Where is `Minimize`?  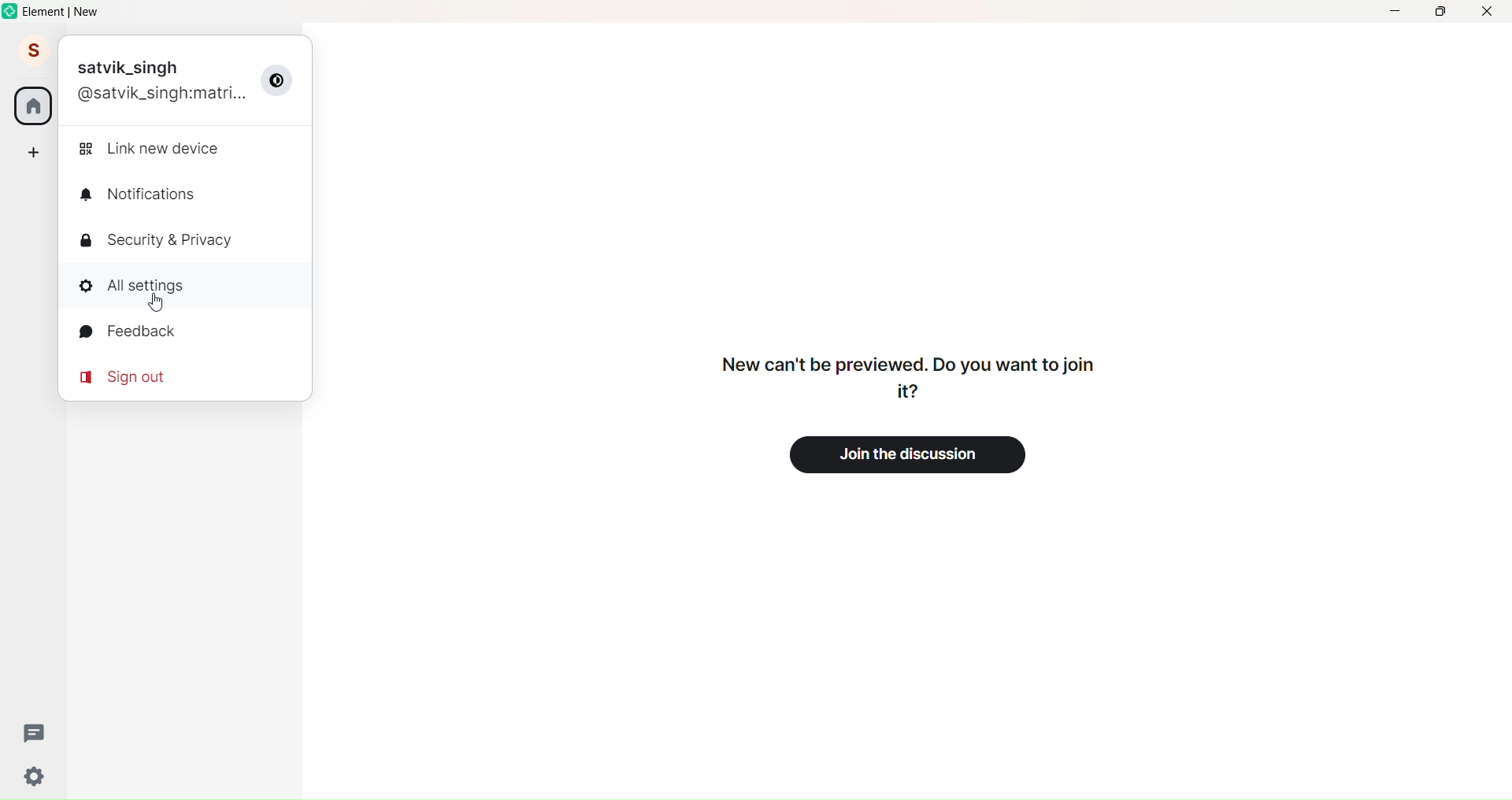
Minimize is located at coordinates (1394, 12).